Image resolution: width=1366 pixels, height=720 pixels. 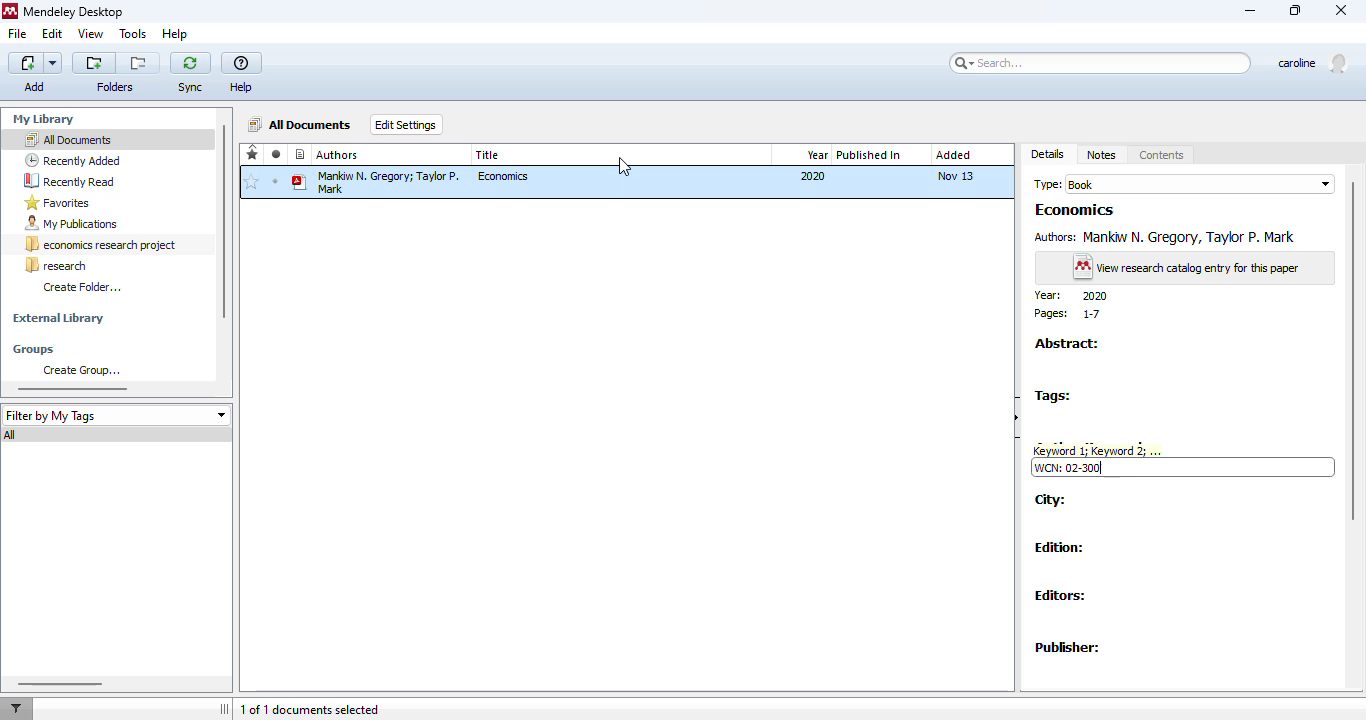 I want to click on vertical scroll bar, so click(x=224, y=221).